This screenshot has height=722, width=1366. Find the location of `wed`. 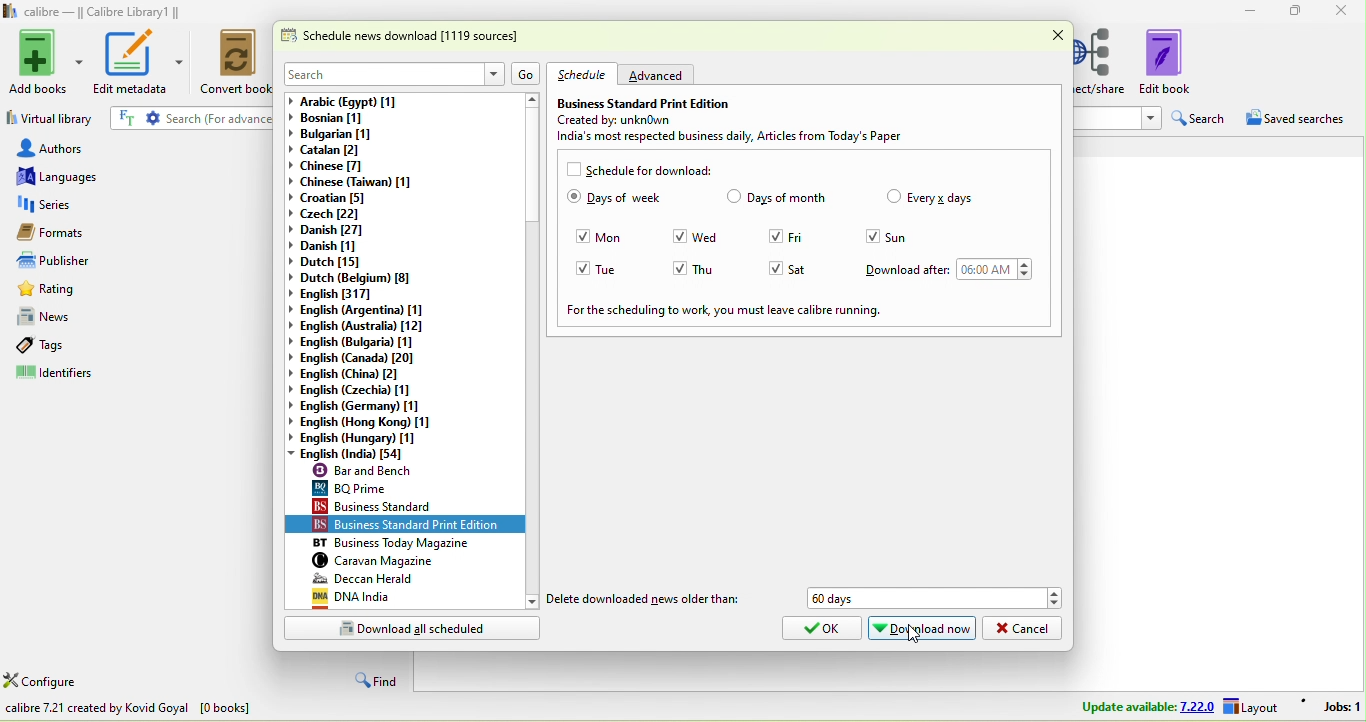

wed is located at coordinates (713, 237).